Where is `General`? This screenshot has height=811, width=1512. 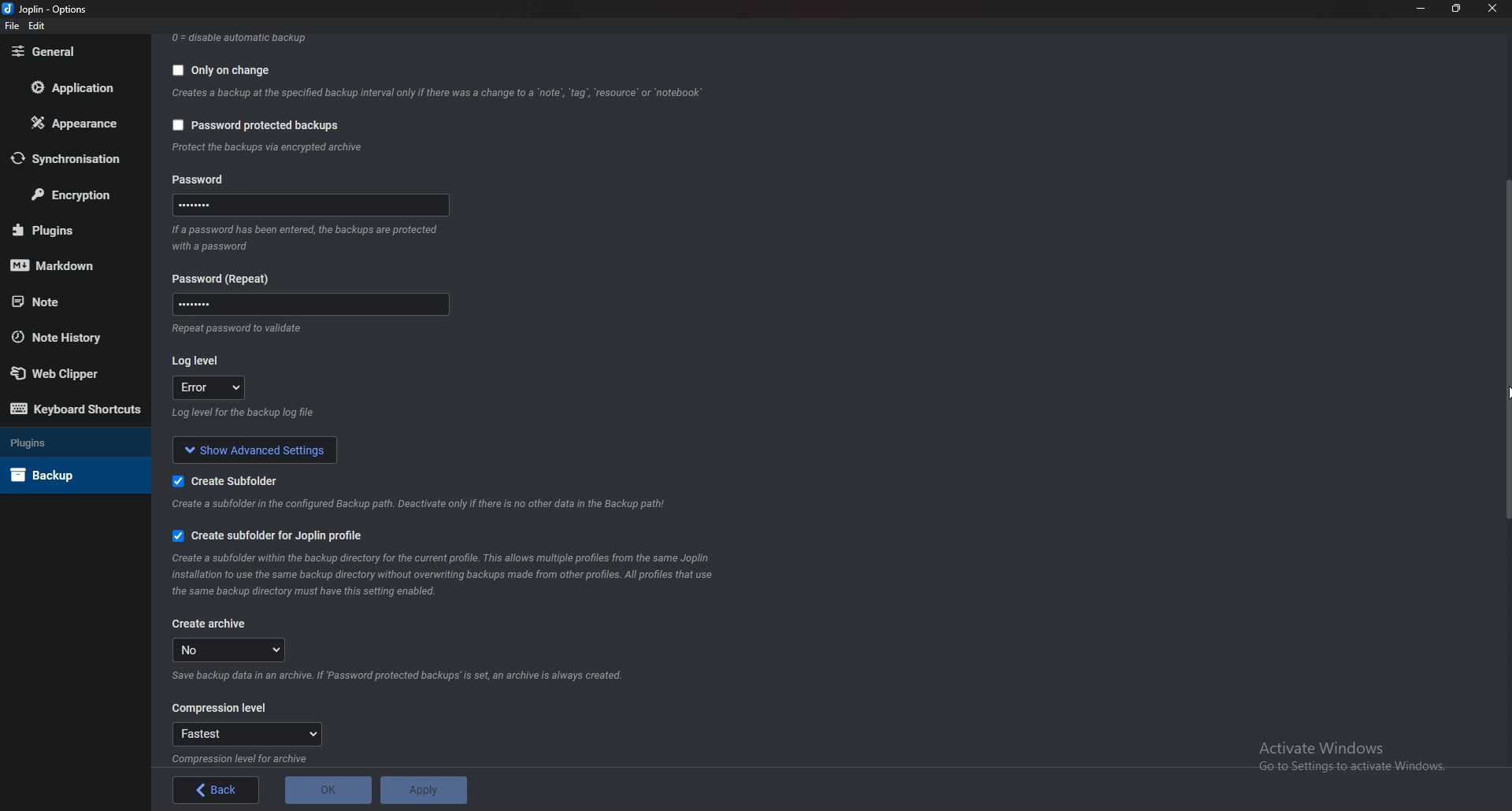
General is located at coordinates (69, 52).